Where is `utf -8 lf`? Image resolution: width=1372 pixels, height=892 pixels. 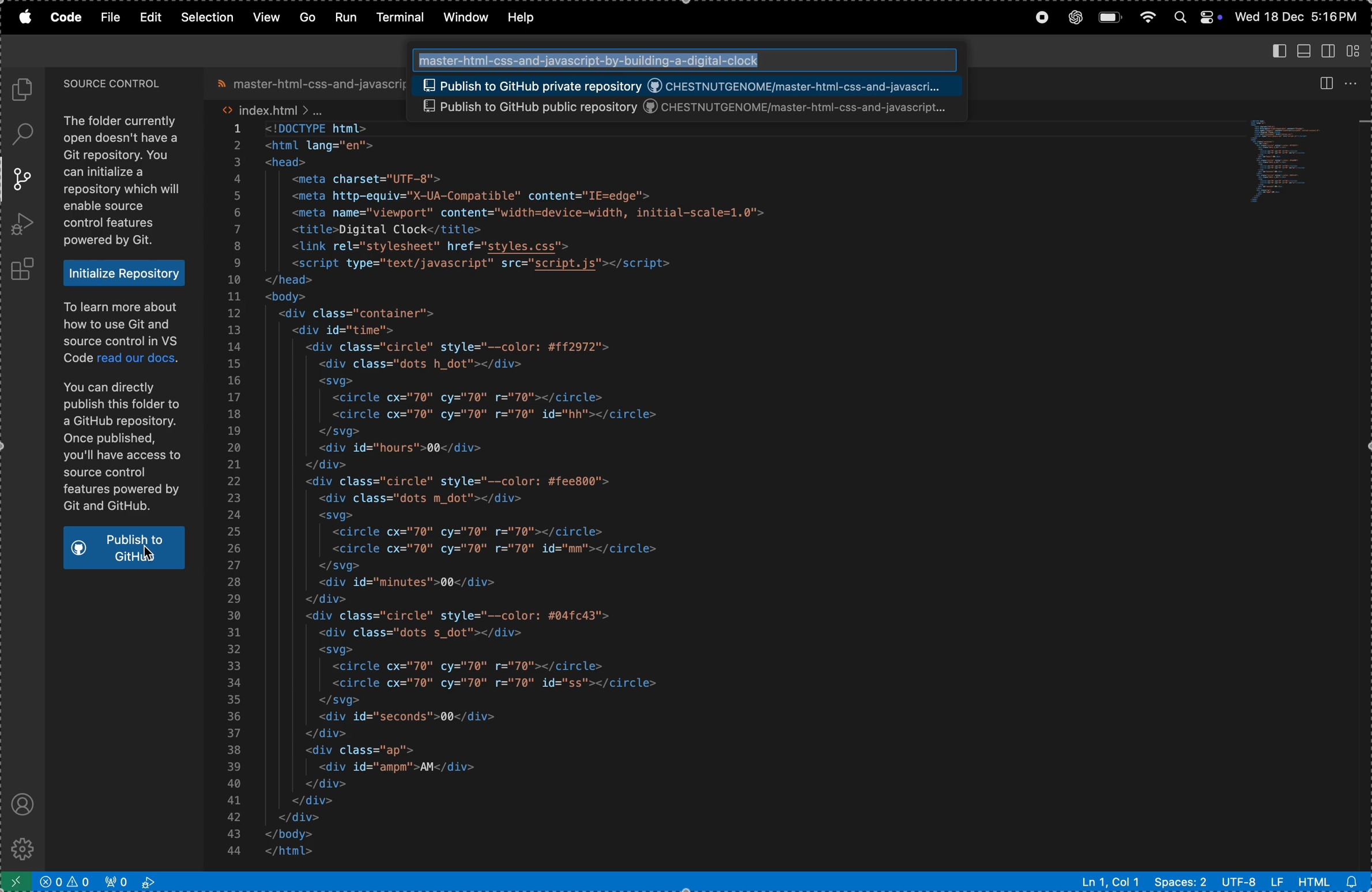 utf -8 lf is located at coordinates (1253, 882).